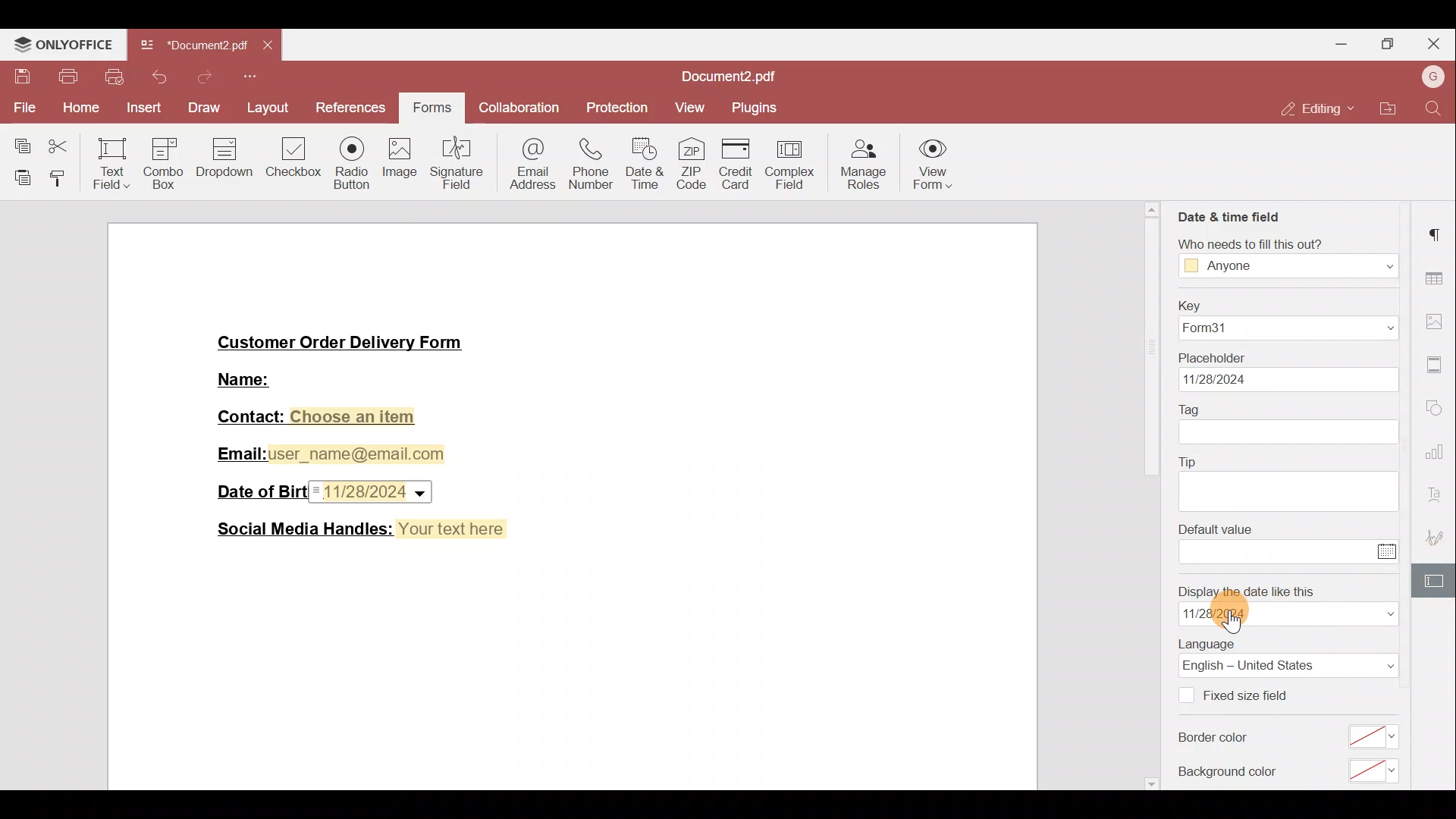  I want to click on Document2.pdf, so click(720, 77).